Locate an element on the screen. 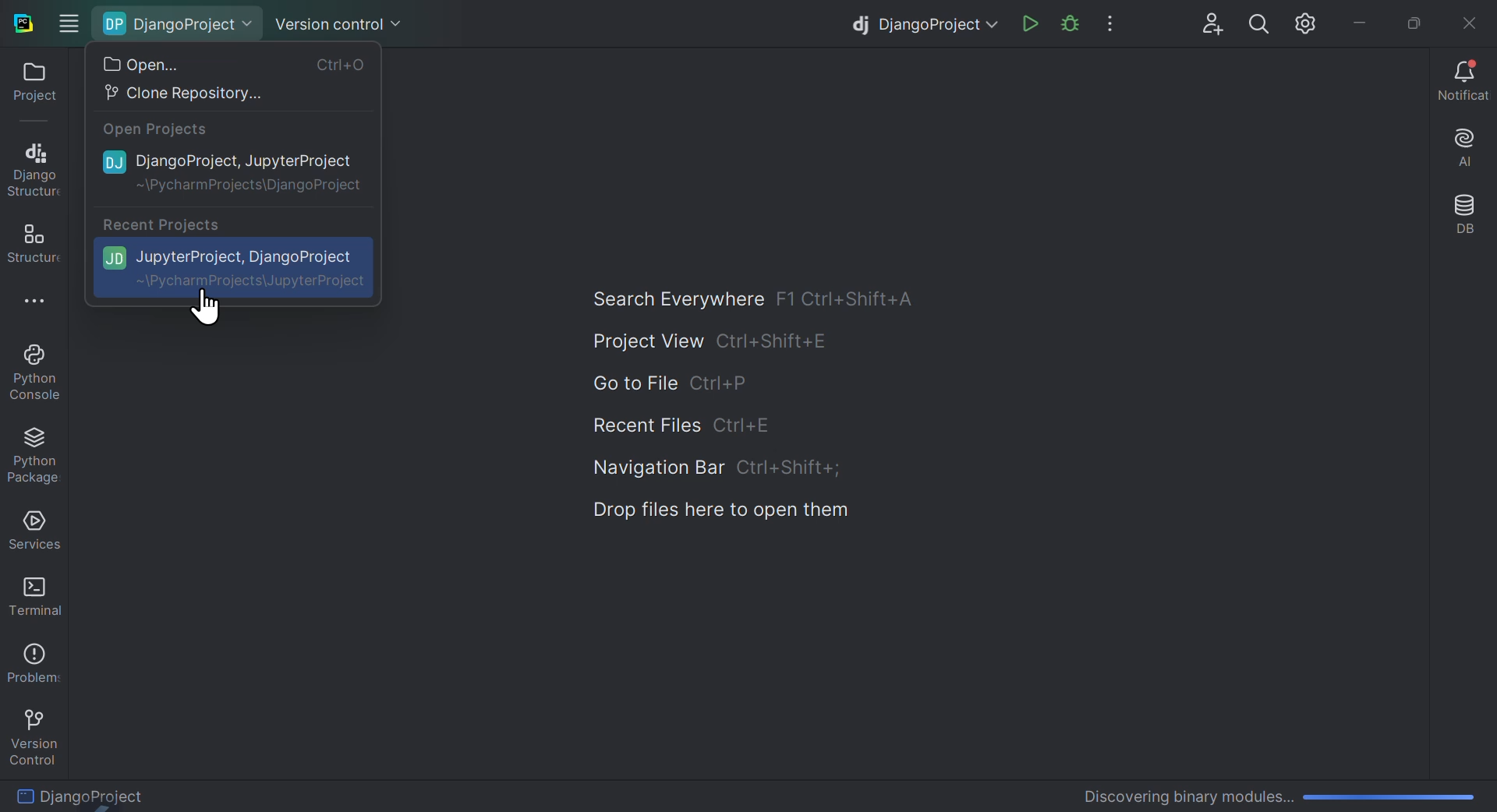 The height and width of the screenshot is (812, 1497). Database is located at coordinates (1464, 217).